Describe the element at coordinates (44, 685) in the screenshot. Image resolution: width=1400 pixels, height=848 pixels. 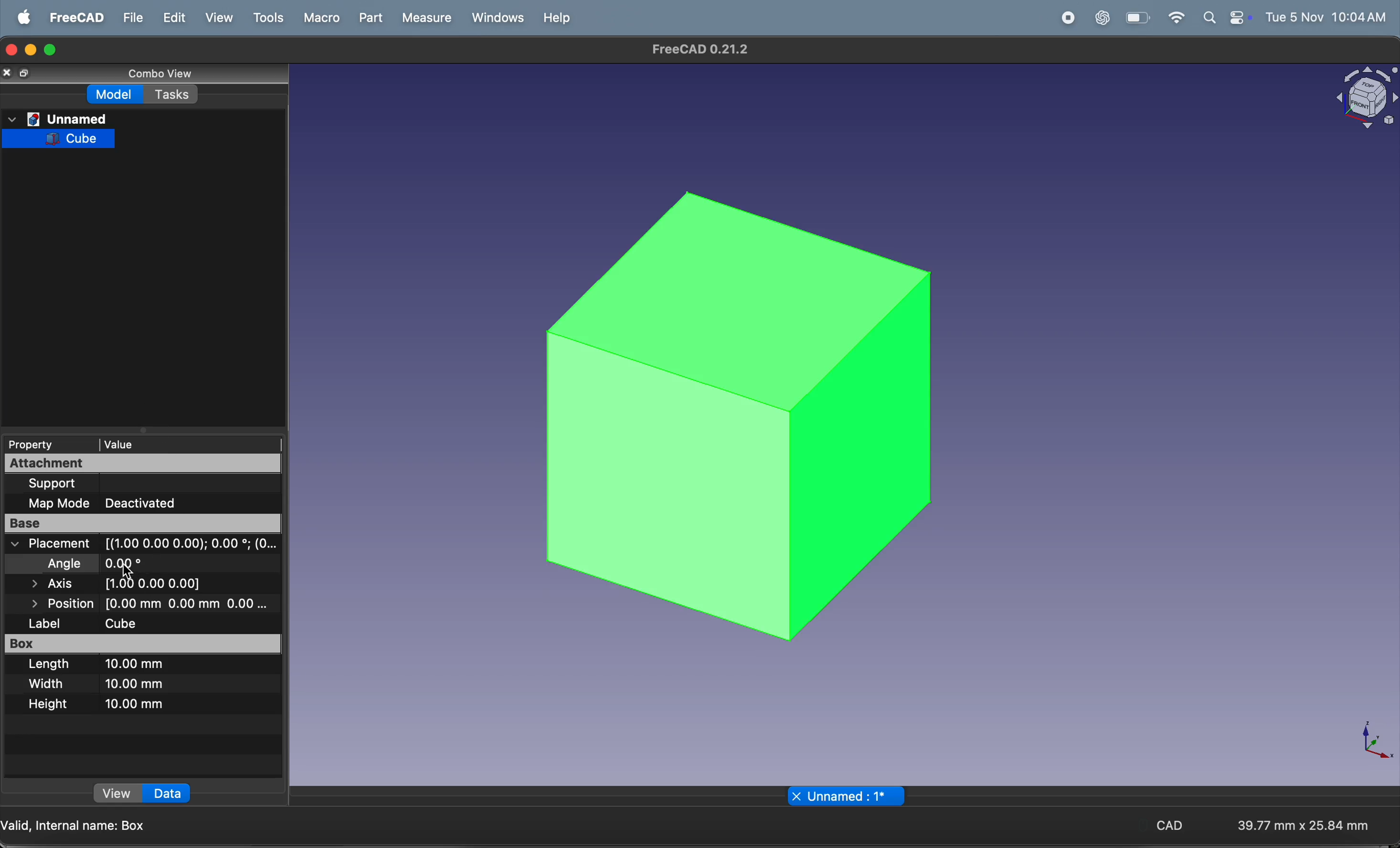
I see `width` at that location.